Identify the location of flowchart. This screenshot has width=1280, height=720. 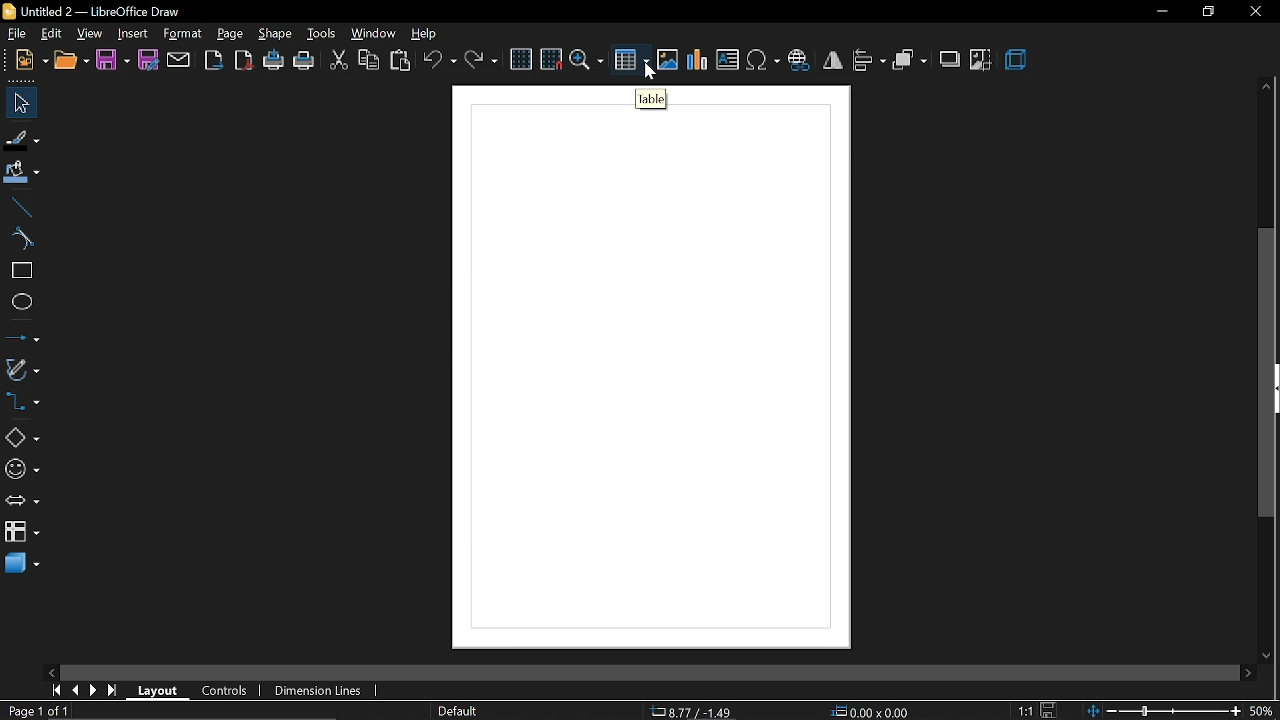
(22, 532).